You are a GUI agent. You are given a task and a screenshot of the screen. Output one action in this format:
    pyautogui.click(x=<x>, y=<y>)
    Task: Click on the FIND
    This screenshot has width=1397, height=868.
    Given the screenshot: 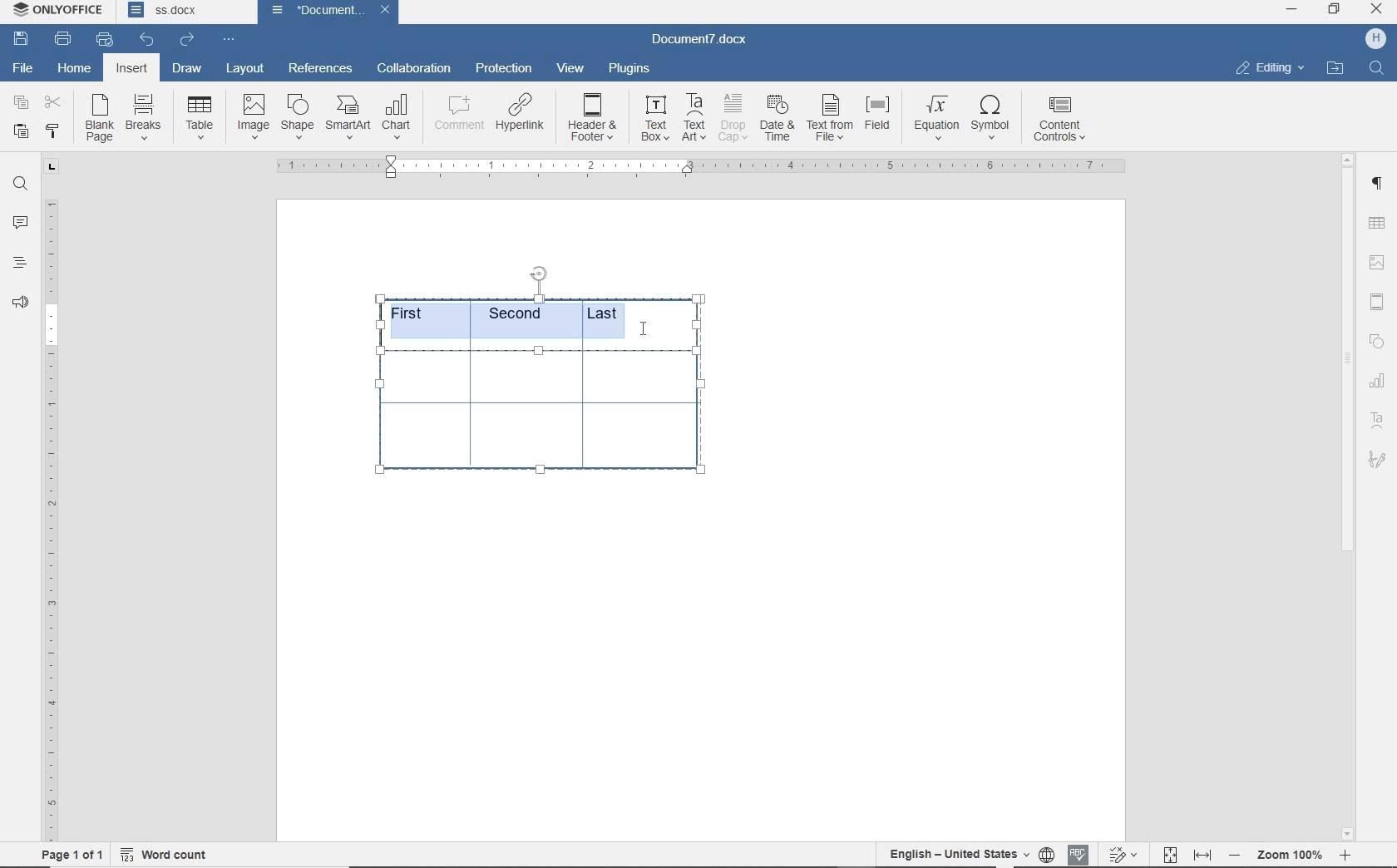 What is the action you would take?
    pyautogui.click(x=1378, y=68)
    